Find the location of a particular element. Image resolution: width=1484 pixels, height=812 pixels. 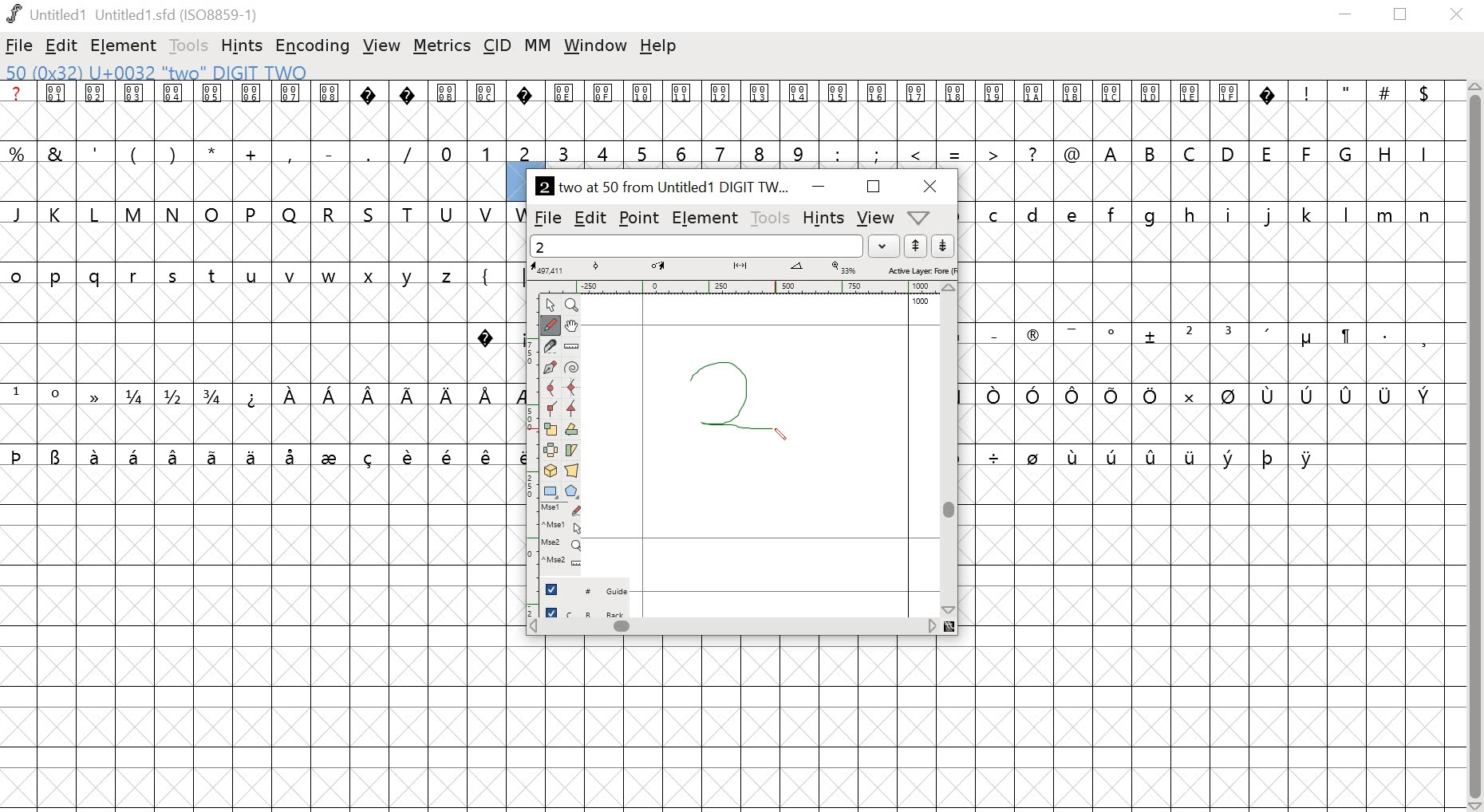

point is located at coordinates (553, 305).